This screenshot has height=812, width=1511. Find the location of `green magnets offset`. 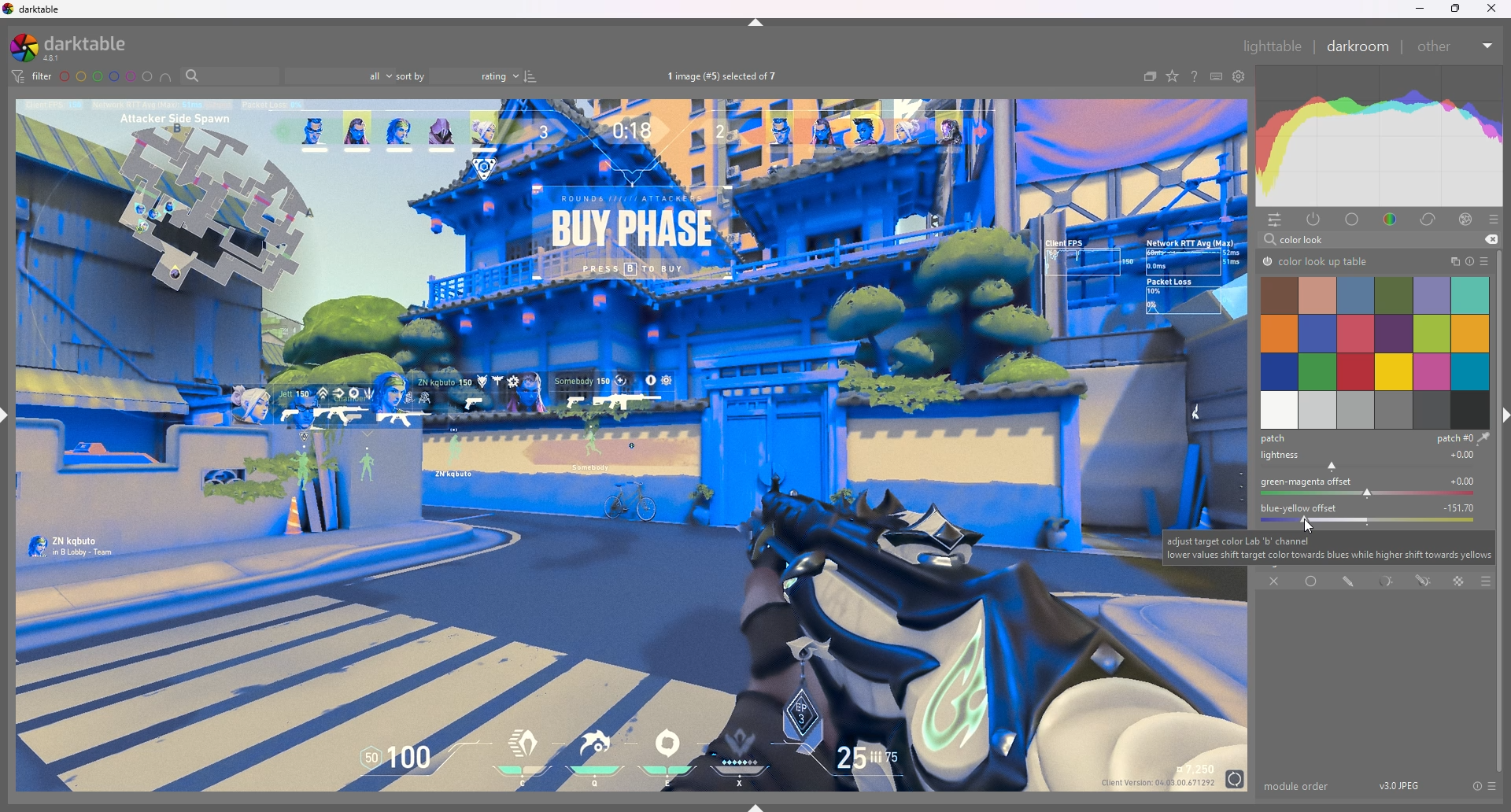

green magnets offset is located at coordinates (1372, 489).